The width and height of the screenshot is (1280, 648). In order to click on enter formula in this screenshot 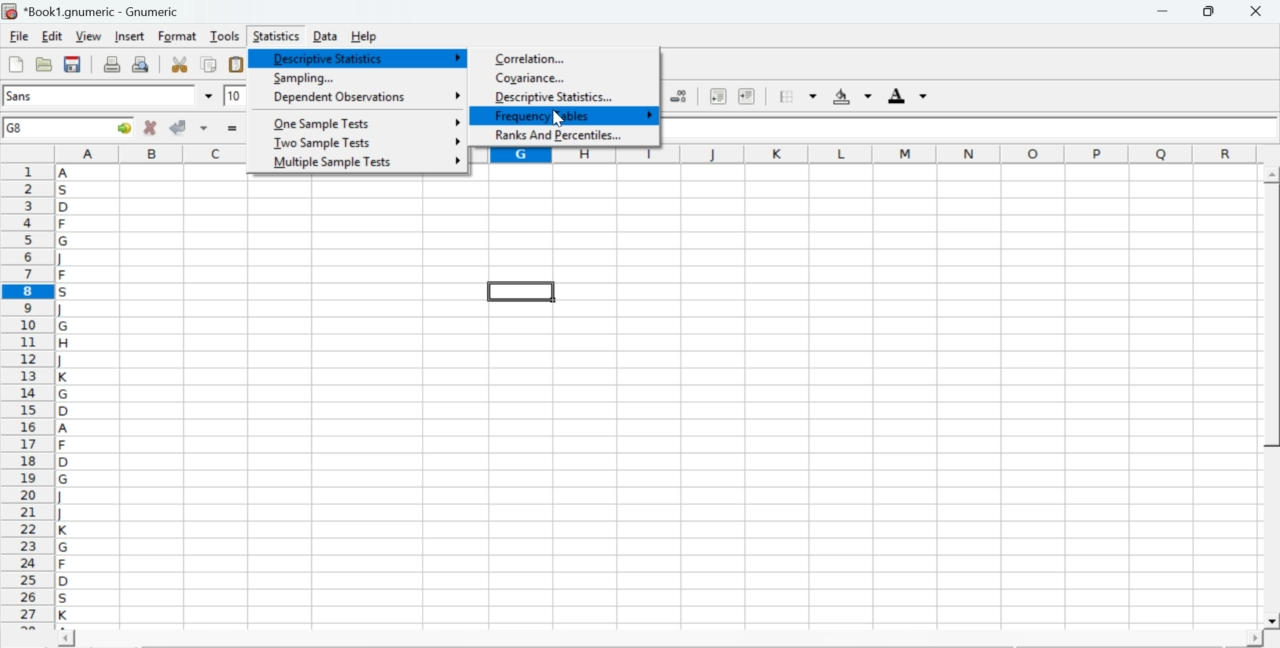, I will do `click(234, 129)`.